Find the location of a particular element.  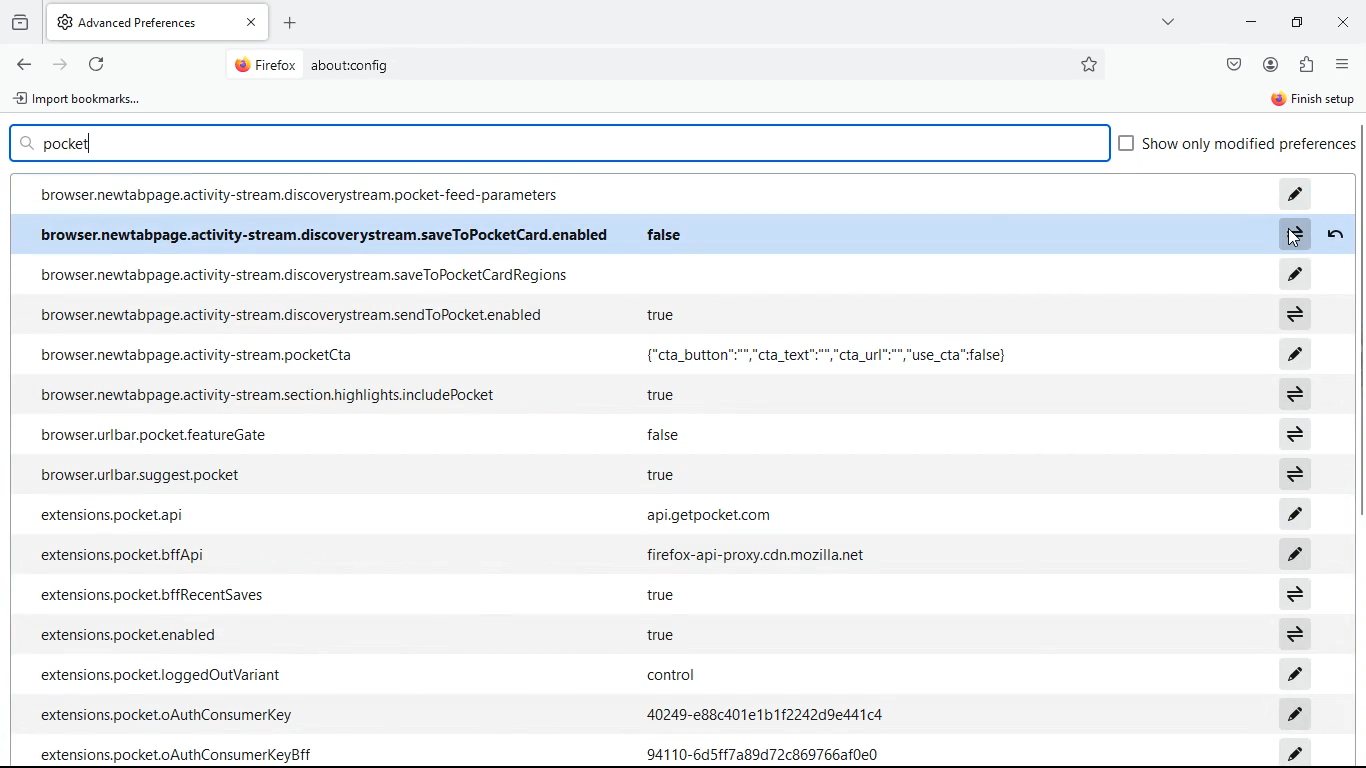

firefox-api-proxy.cdn.mozilla.net is located at coordinates (761, 556).